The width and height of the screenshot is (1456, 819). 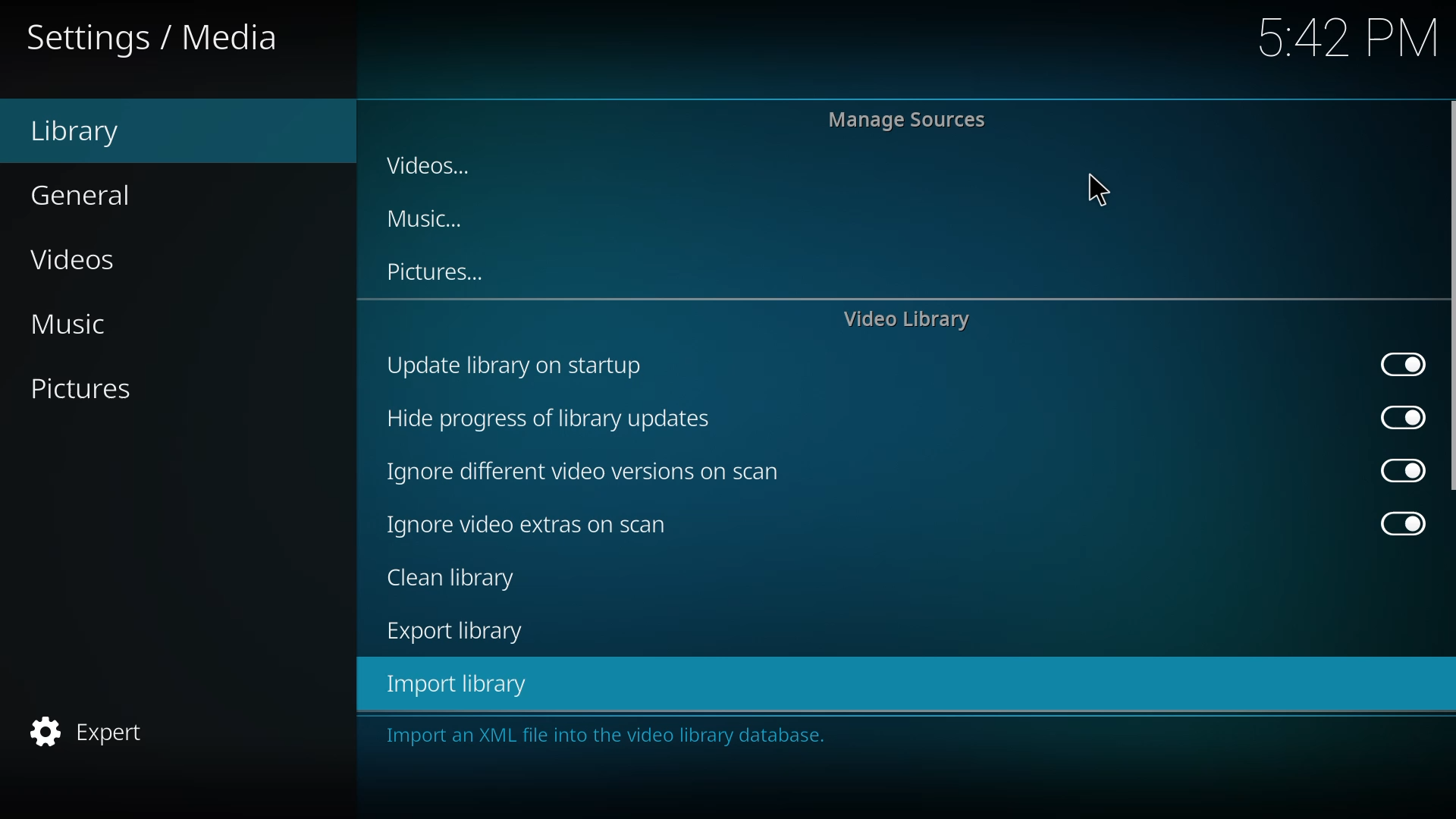 I want to click on ignore video extras, so click(x=530, y=525).